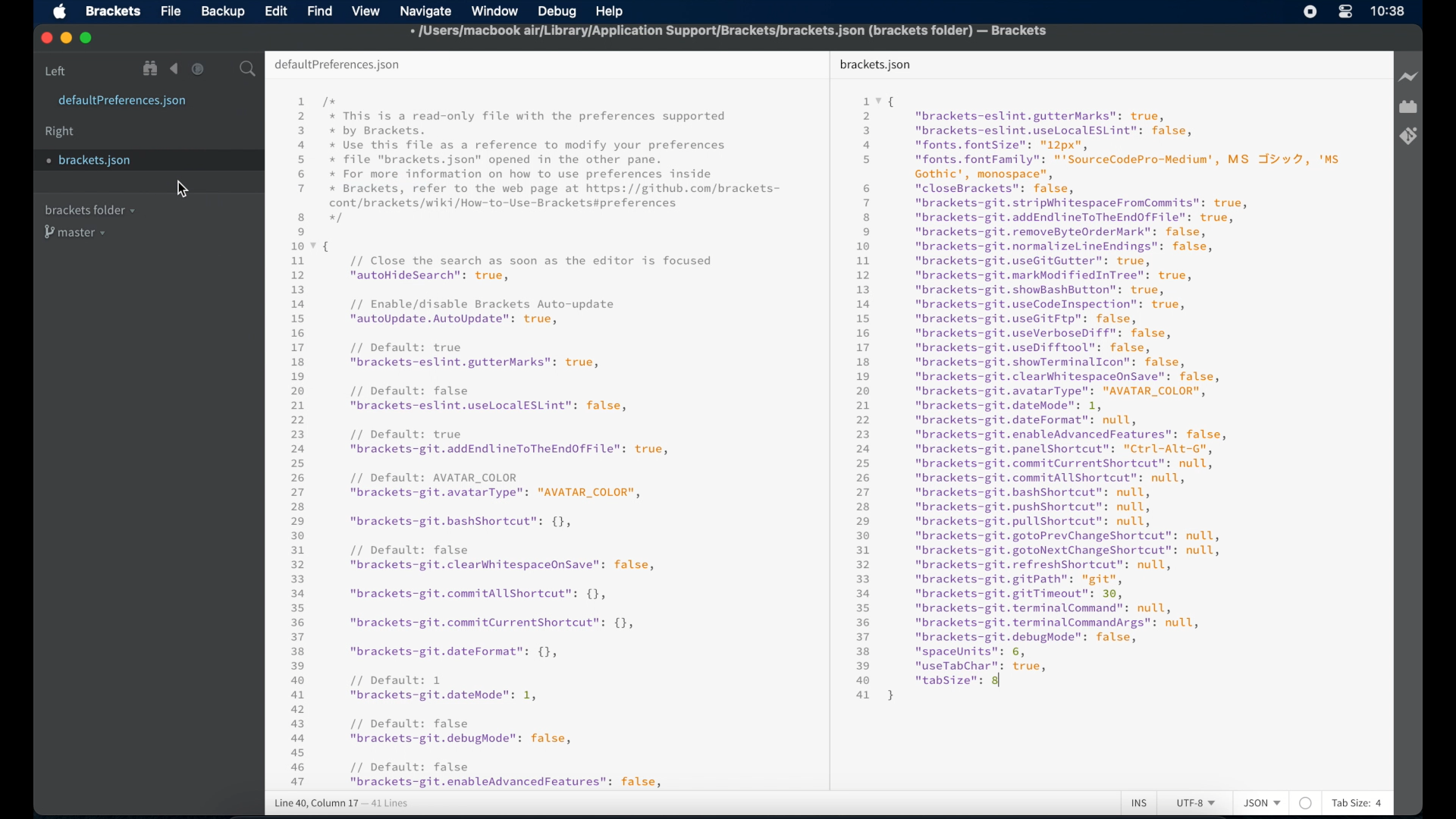 The image size is (1456, 819). What do you see at coordinates (1310, 11) in the screenshot?
I see `screen recorder icon` at bounding box center [1310, 11].